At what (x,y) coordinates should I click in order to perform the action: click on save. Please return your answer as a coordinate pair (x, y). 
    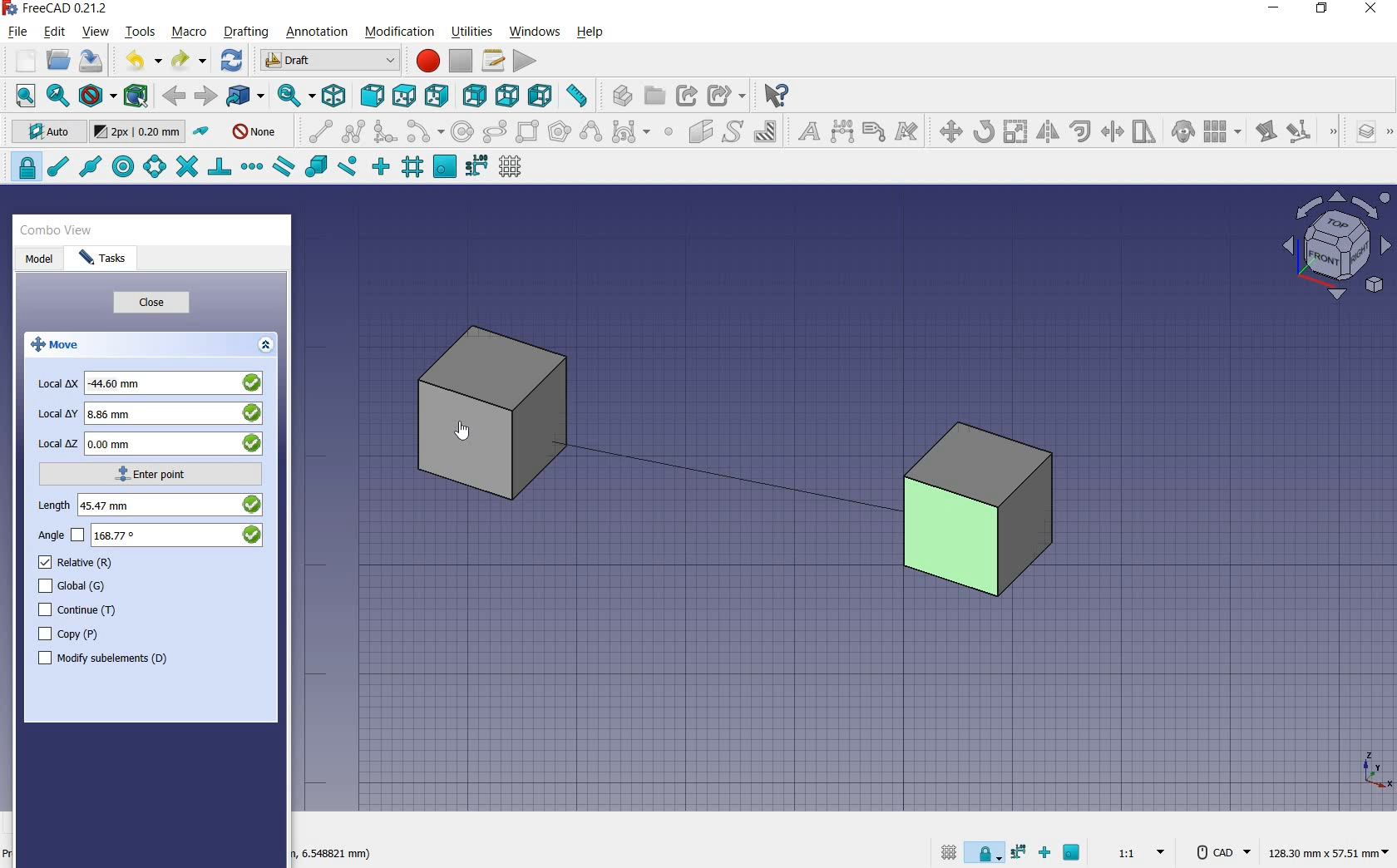
    Looking at the image, I should click on (91, 62).